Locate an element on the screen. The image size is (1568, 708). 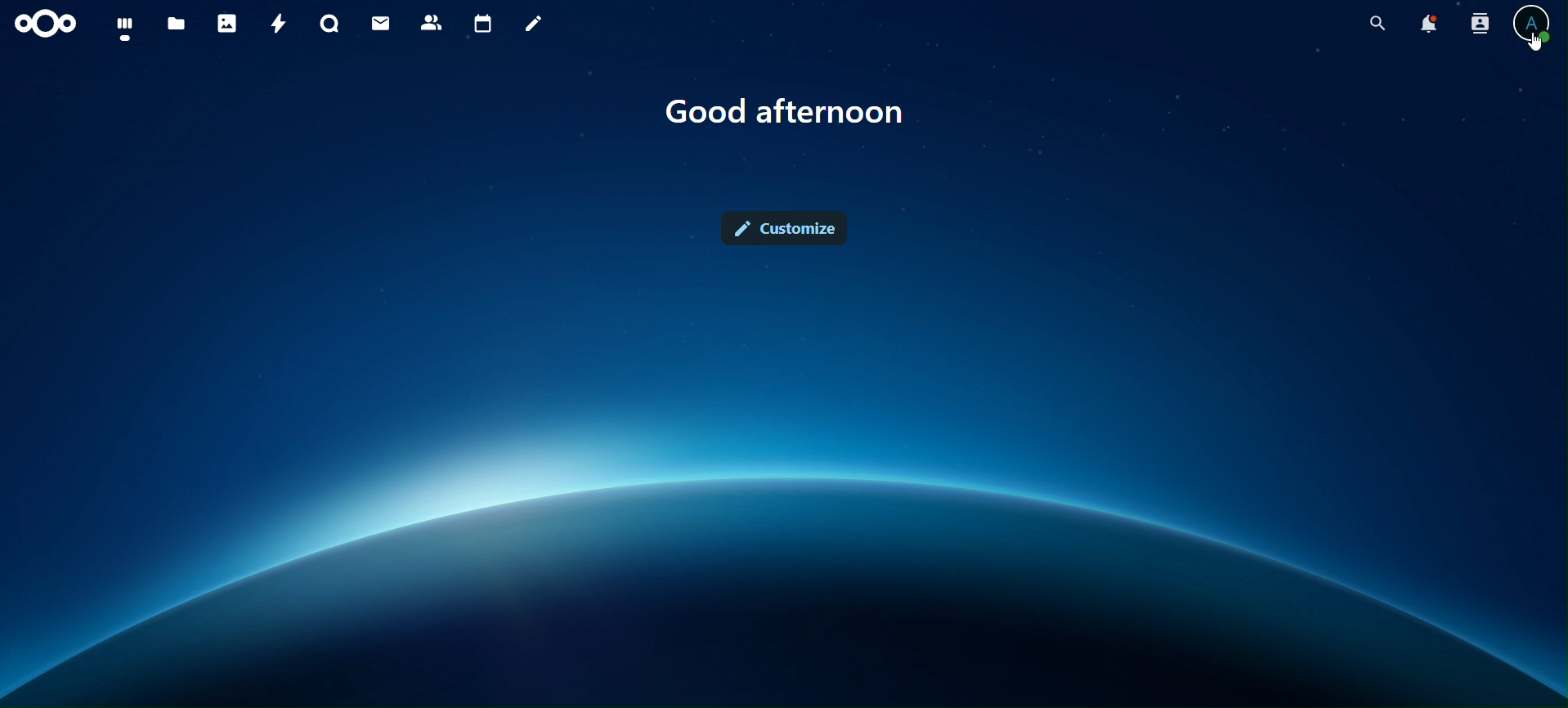
search profile is located at coordinates (1481, 22).